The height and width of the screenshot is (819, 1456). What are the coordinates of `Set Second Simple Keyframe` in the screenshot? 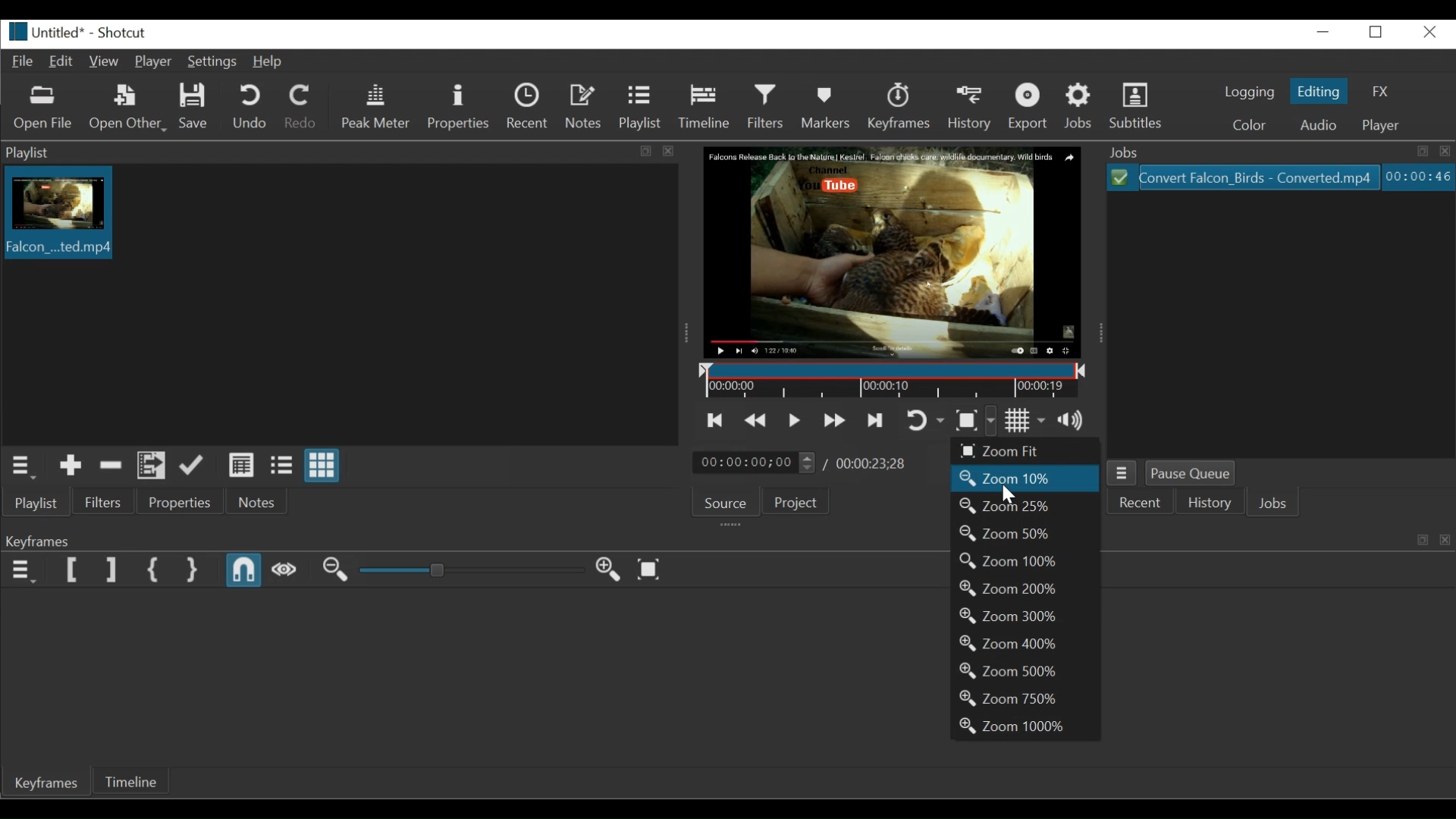 It's located at (193, 571).